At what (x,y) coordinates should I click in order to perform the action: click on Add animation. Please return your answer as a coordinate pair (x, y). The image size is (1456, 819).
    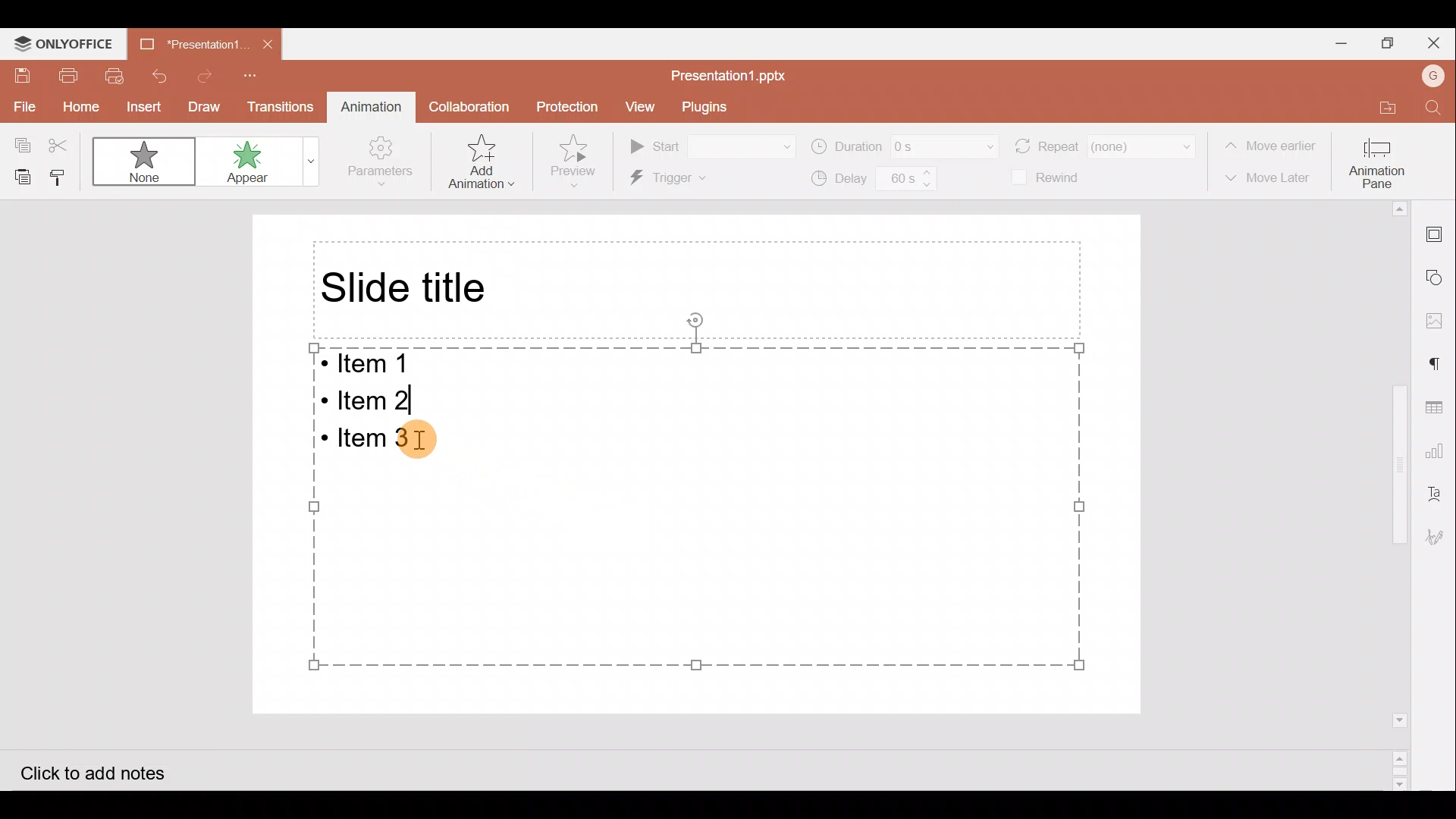
    Looking at the image, I should click on (482, 161).